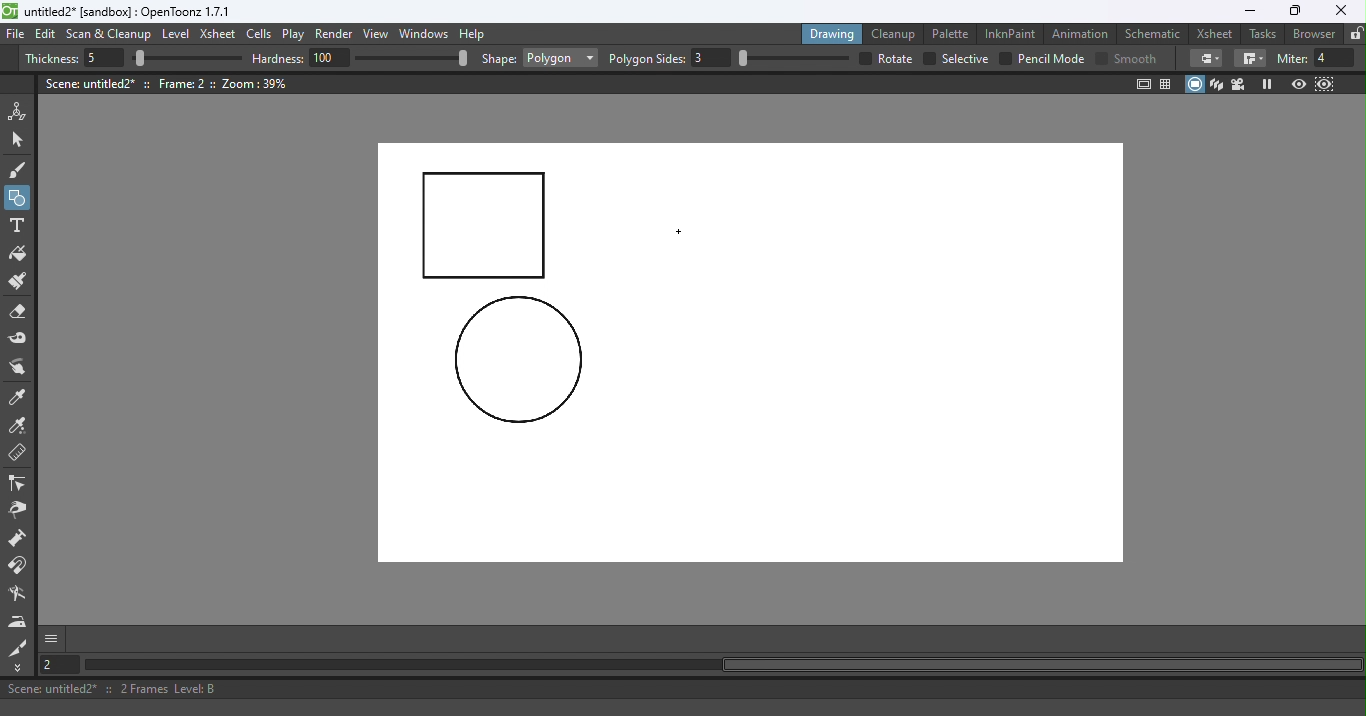 The image size is (1366, 716). I want to click on 5, so click(101, 59).